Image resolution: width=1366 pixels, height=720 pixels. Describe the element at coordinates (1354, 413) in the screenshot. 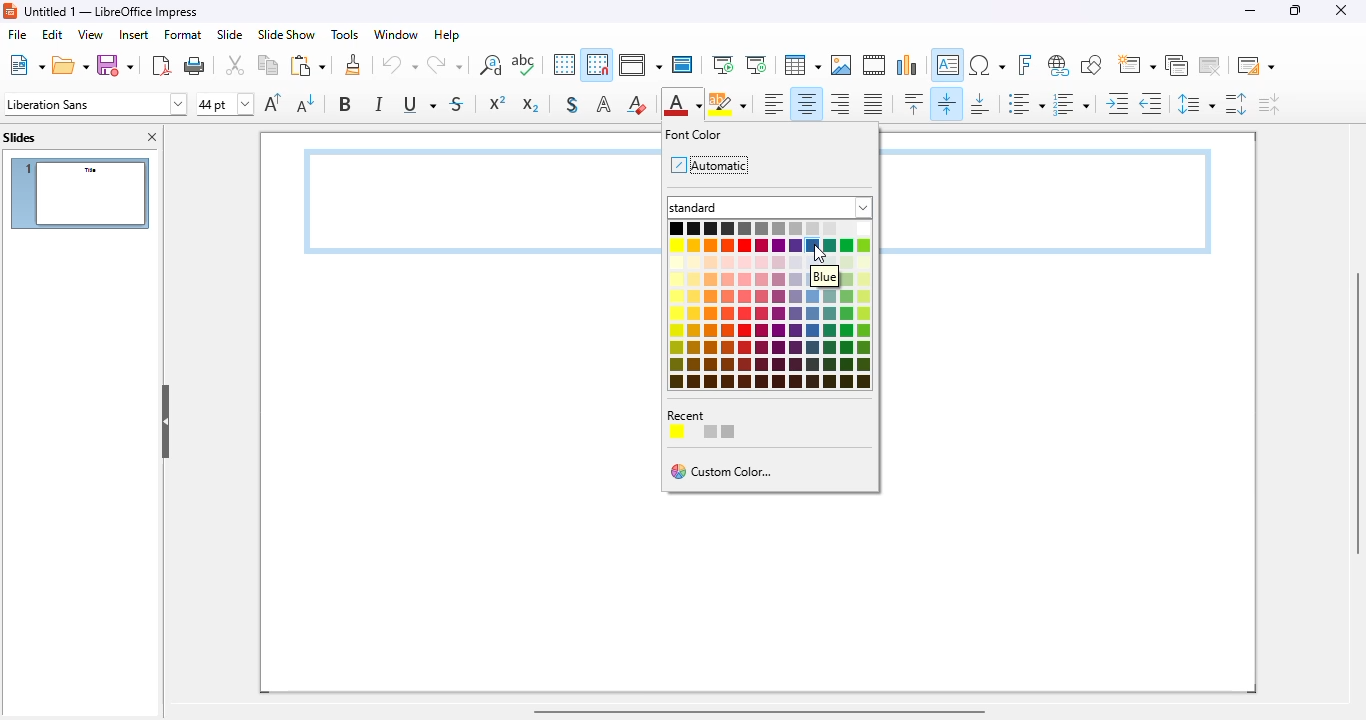

I see `vertical scroll bar` at that location.